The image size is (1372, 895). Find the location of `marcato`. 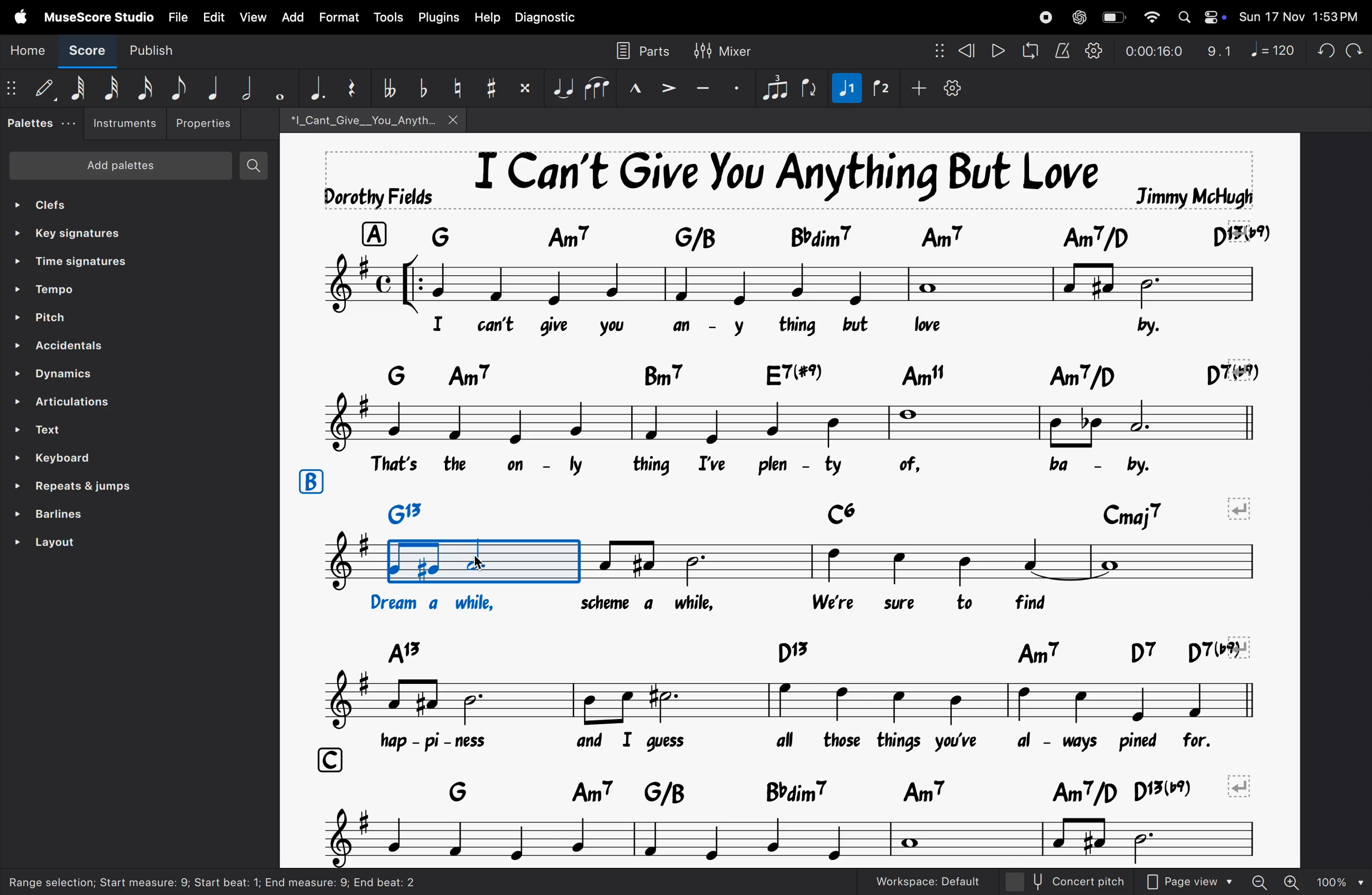

marcato is located at coordinates (638, 89).